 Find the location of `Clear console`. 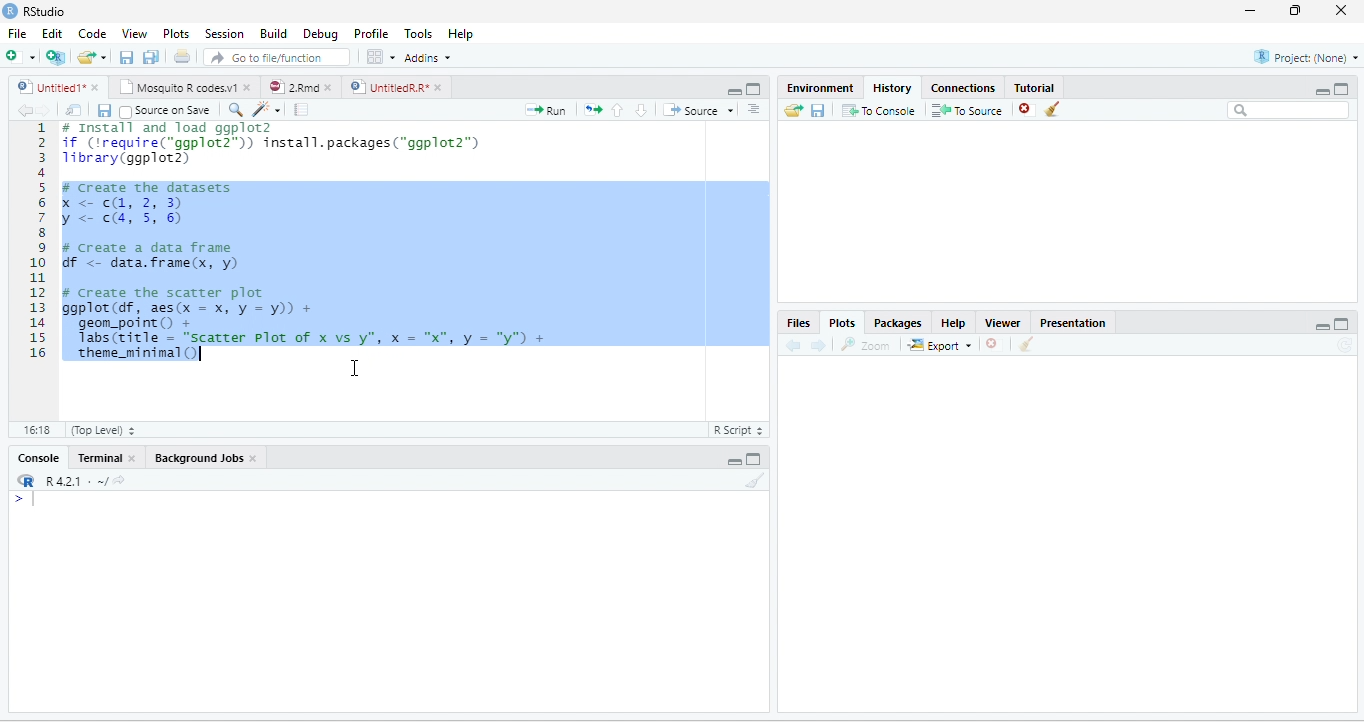

Clear console is located at coordinates (756, 480).